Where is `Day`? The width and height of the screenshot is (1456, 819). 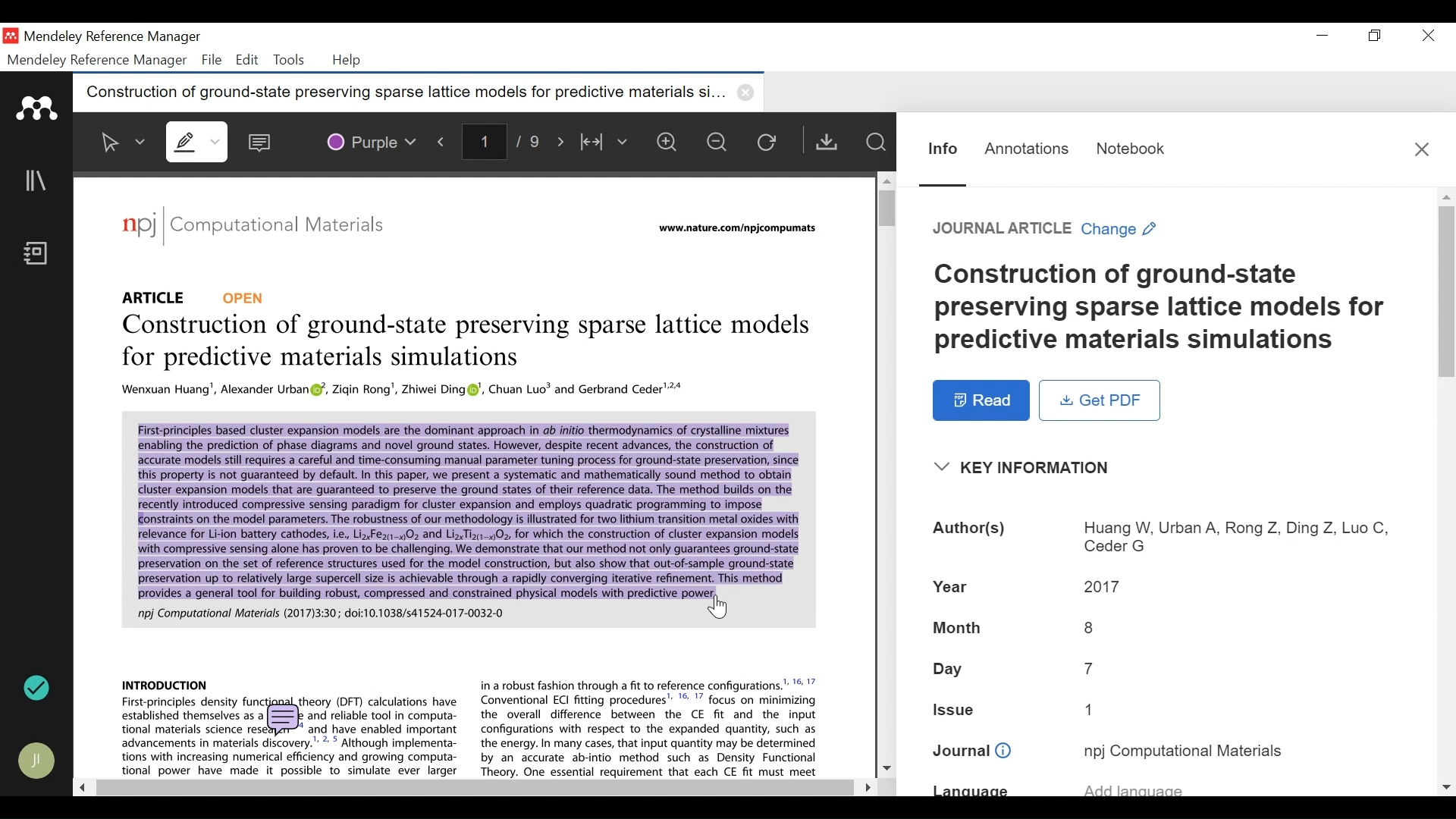
Day is located at coordinates (1090, 668).